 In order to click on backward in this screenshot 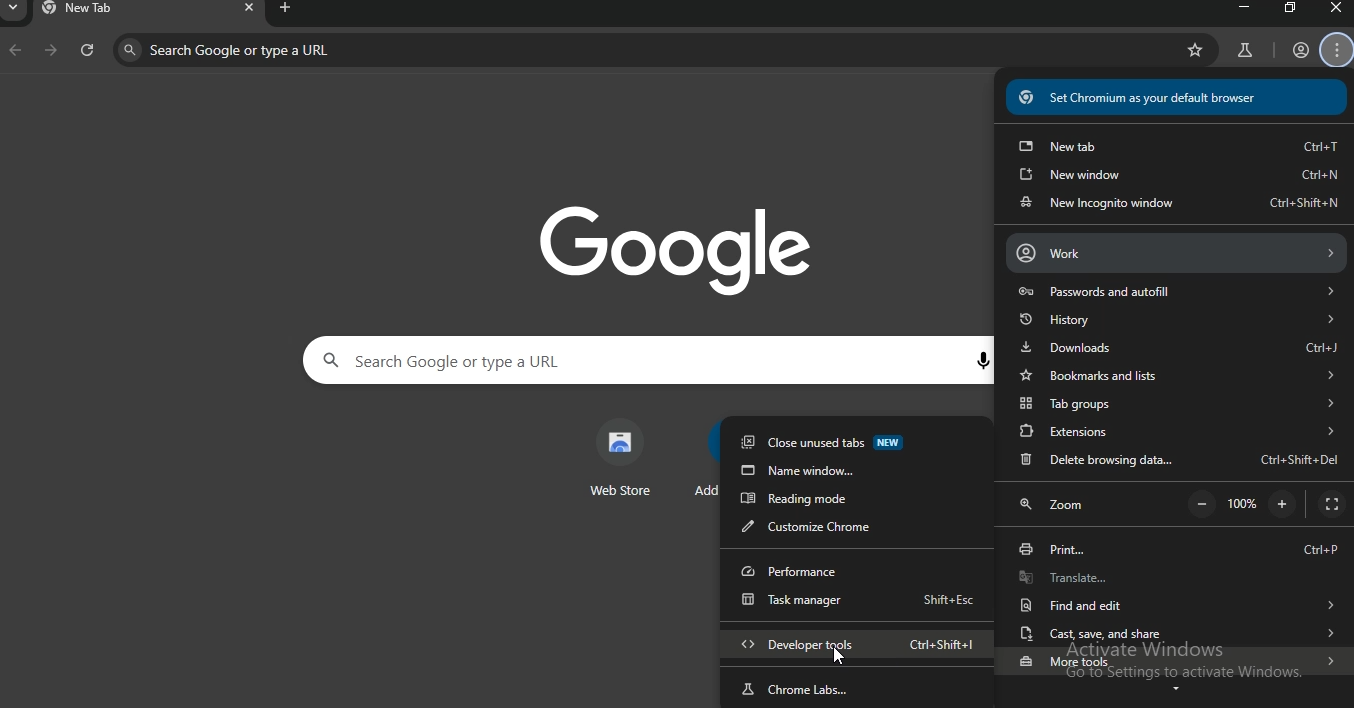, I will do `click(15, 50)`.